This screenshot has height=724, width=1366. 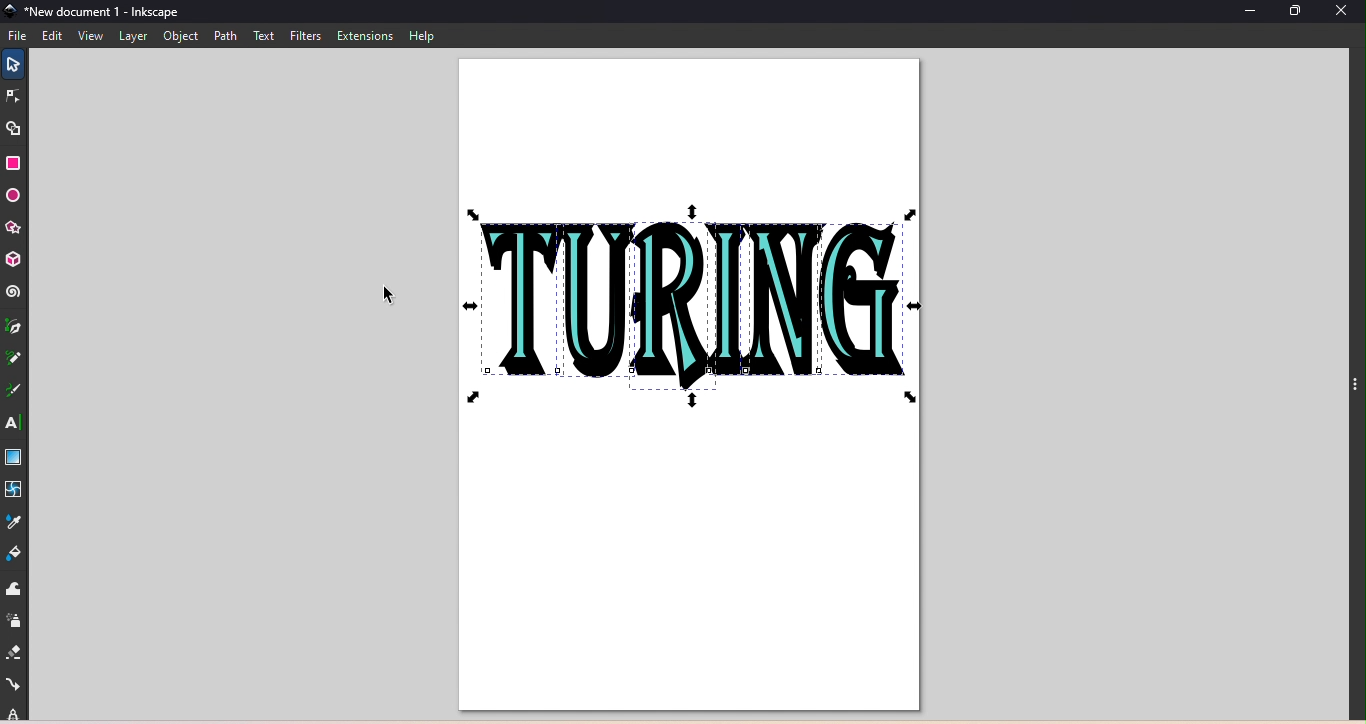 What do you see at coordinates (15, 258) in the screenshot?
I see `3D box tool` at bounding box center [15, 258].